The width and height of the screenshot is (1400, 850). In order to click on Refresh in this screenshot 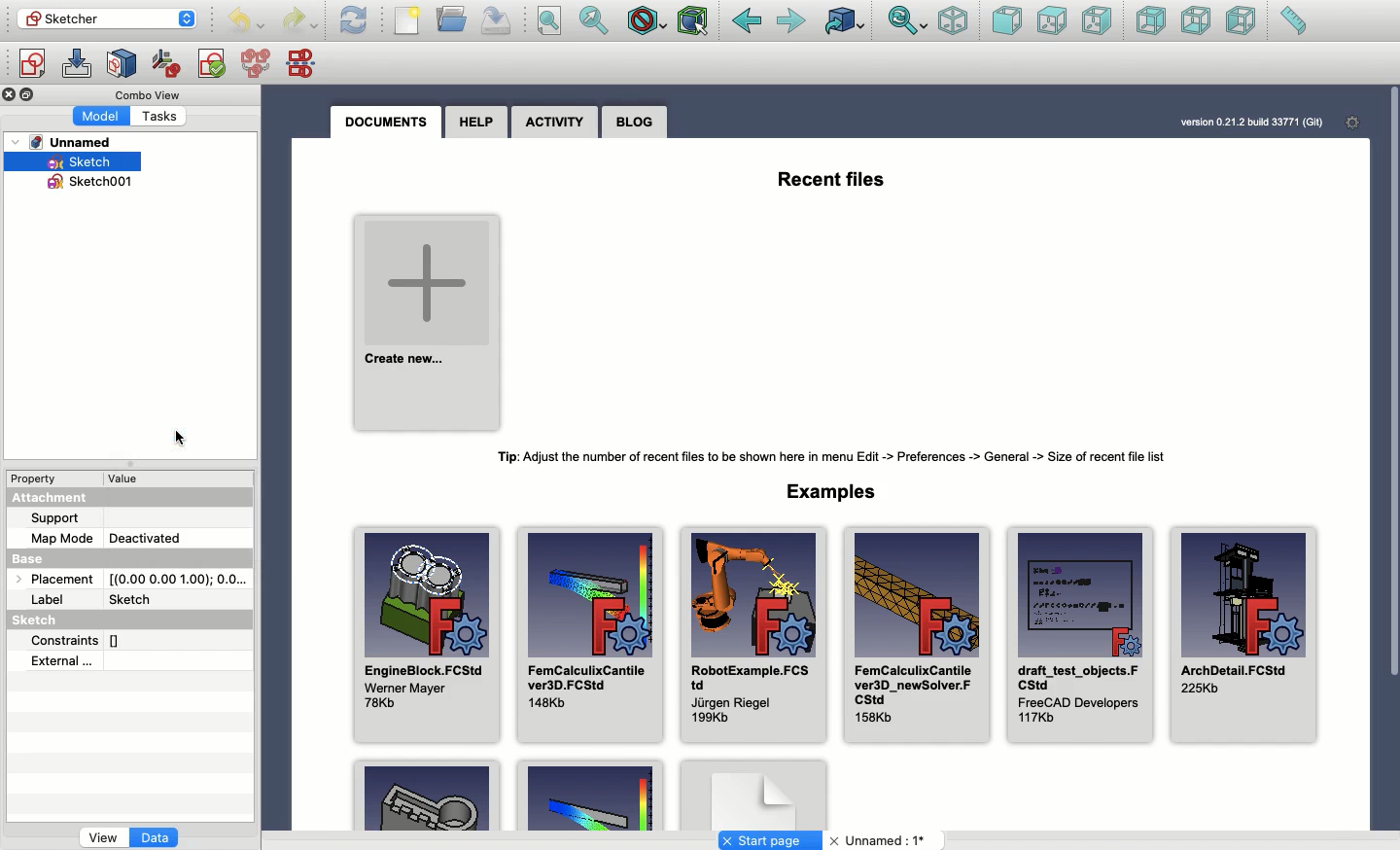, I will do `click(354, 20)`.